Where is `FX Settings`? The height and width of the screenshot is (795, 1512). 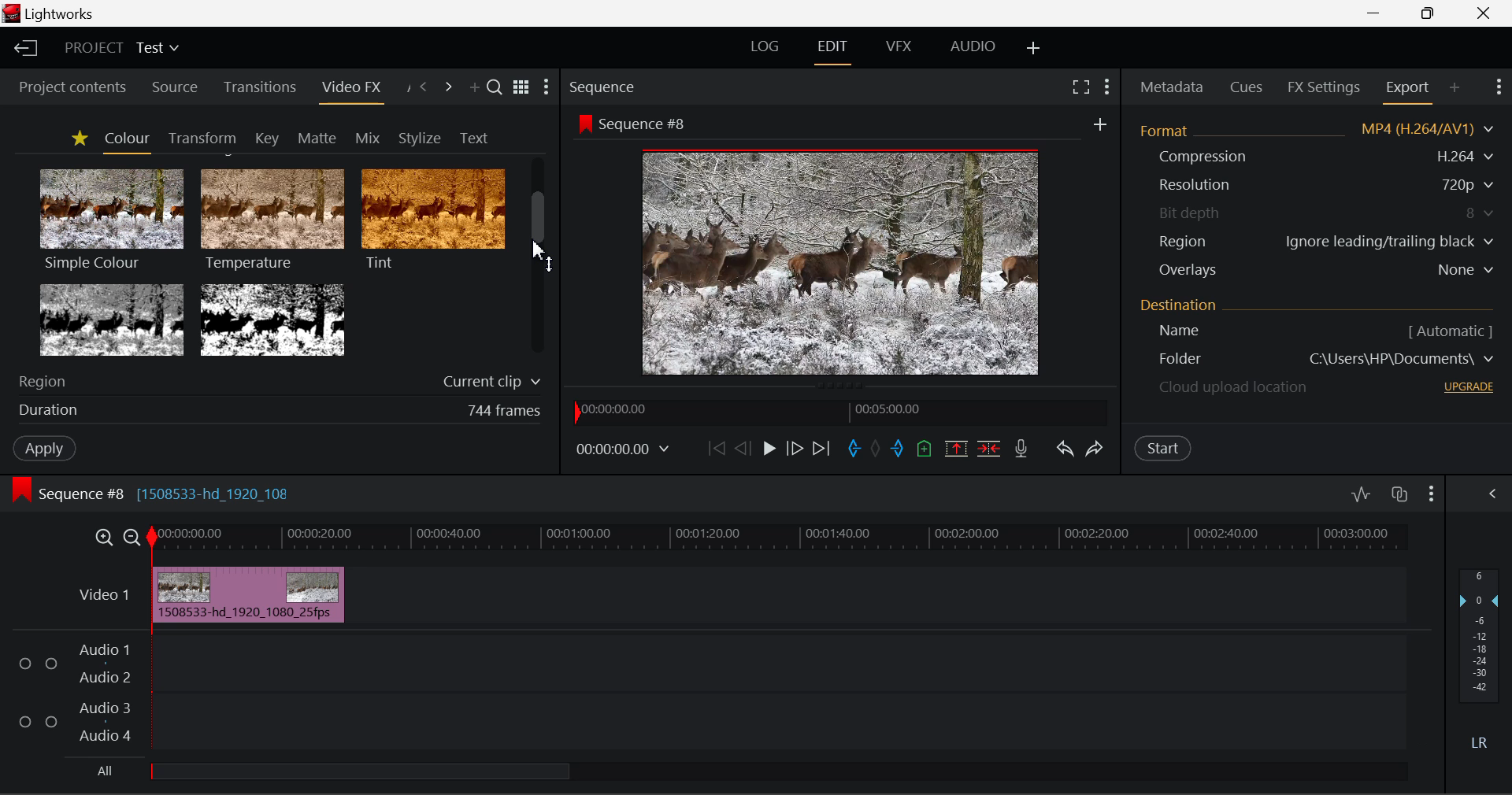 FX Settings is located at coordinates (1324, 87).